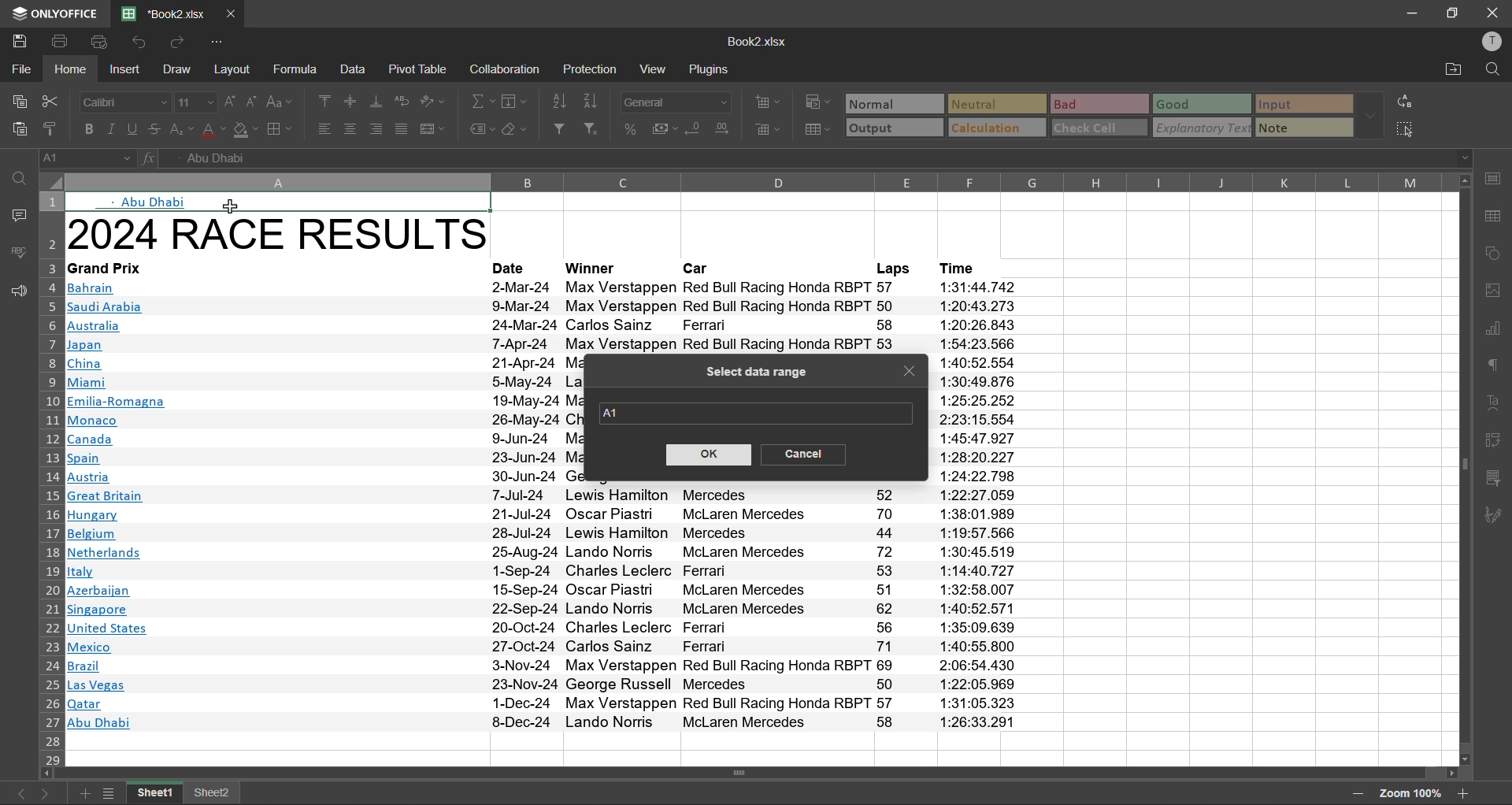  What do you see at coordinates (43, 793) in the screenshot?
I see `next` at bounding box center [43, 793].